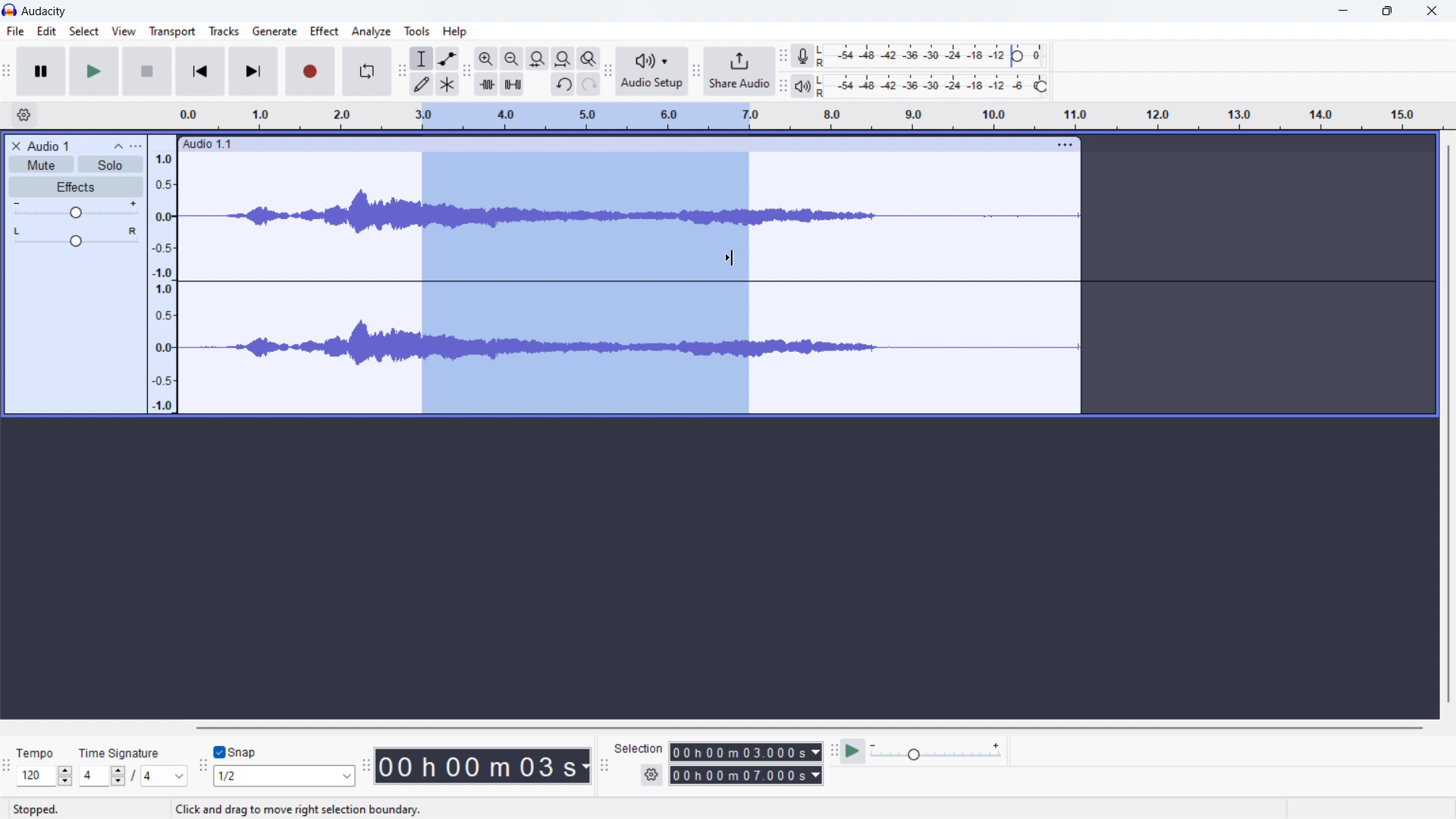  I want to click on time signature, so click(807, 114).